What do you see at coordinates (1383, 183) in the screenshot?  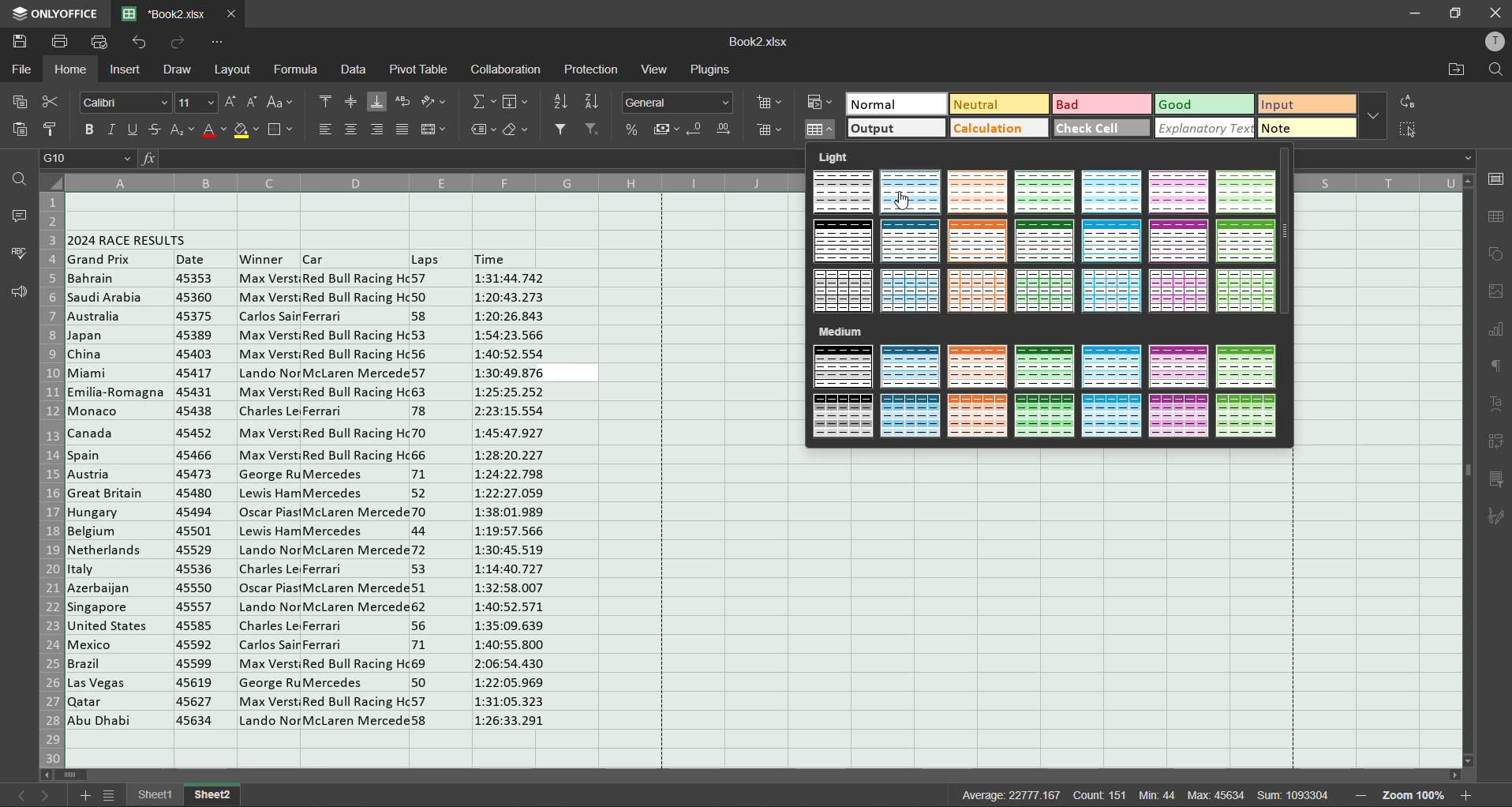 I see `column names` at bounding box center [1383, 183].